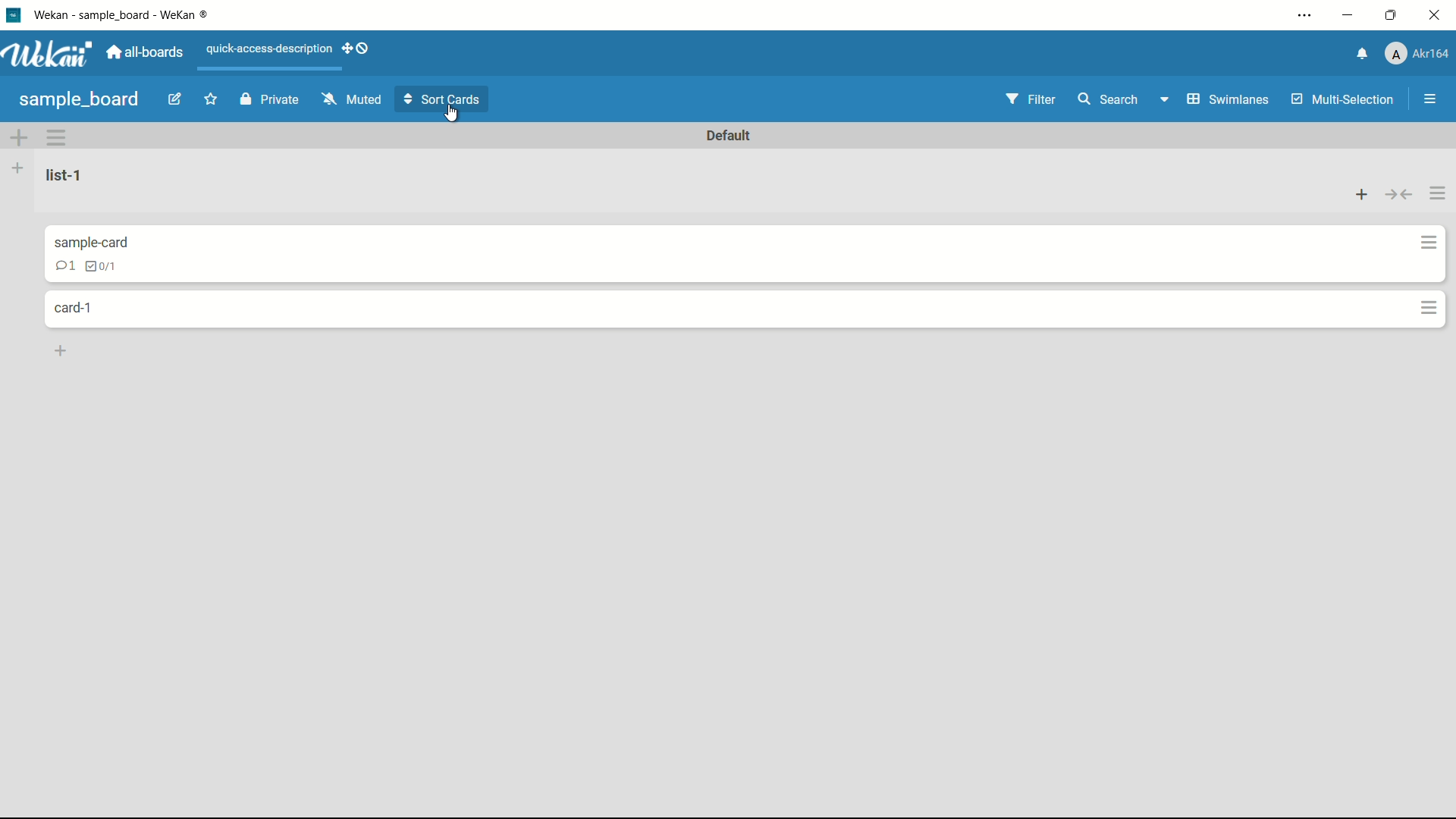  What do you see at coordinates (99, 266) in the screenshot?
I see `checklist` at bounding box center [99, 266].